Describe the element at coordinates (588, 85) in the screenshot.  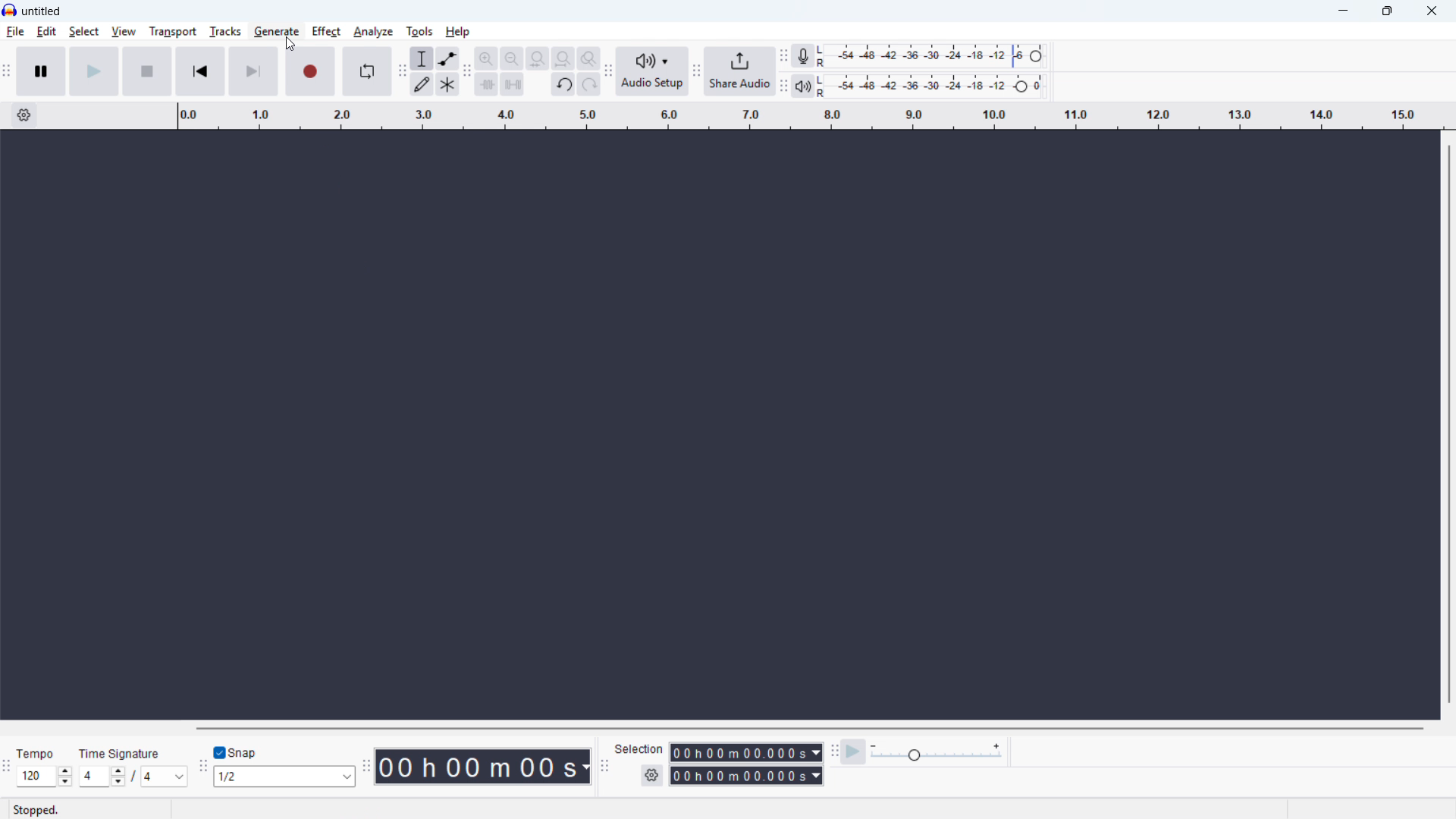
I see `Redo ` at that location.